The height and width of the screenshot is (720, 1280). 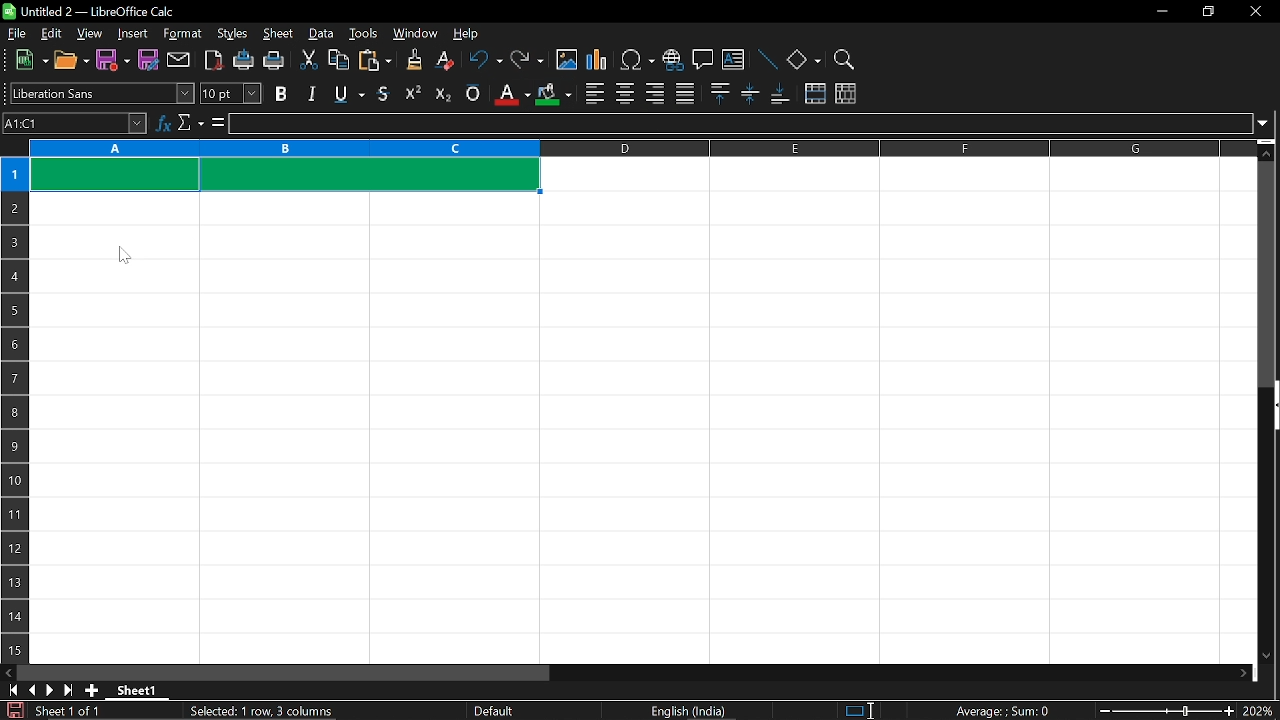 What do you see at coordinates (510, 94) in the screenshot?
I see `text color` at bounding box center [510, 94].